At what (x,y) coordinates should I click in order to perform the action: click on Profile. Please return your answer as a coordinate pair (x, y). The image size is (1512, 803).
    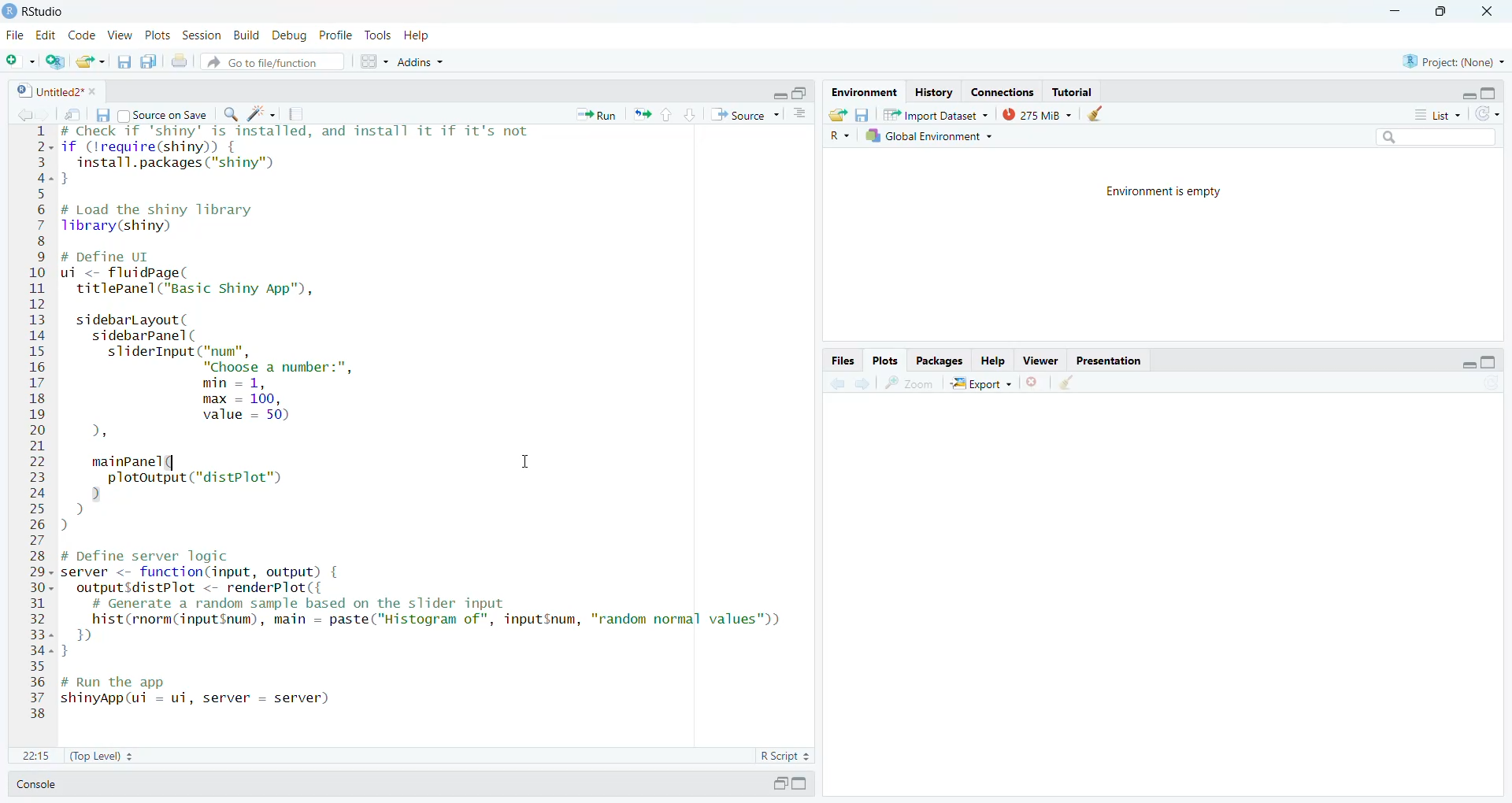
    Looking at the image, I should click on (335, 35).